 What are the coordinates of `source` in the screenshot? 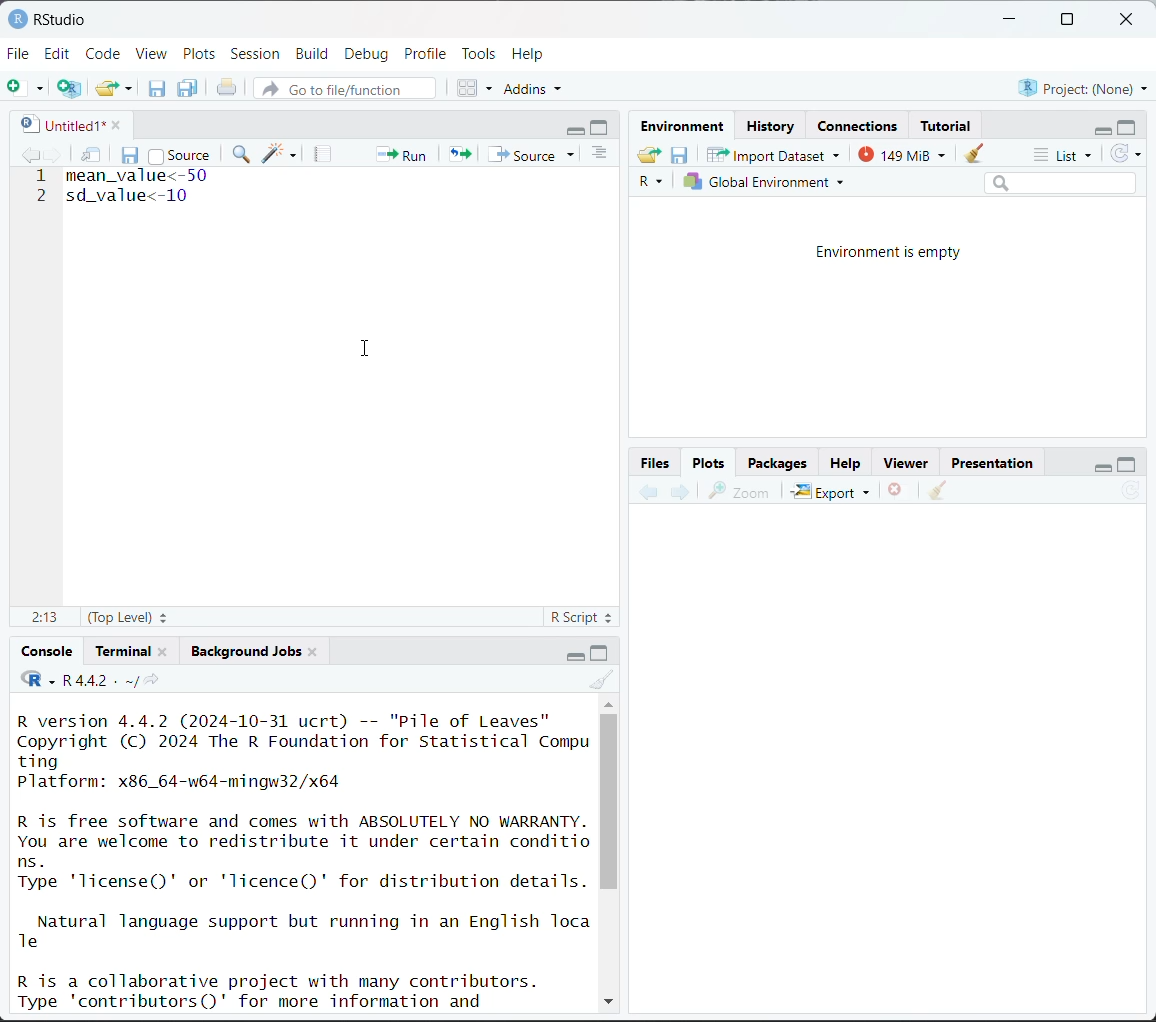 It's located at (179, 154).